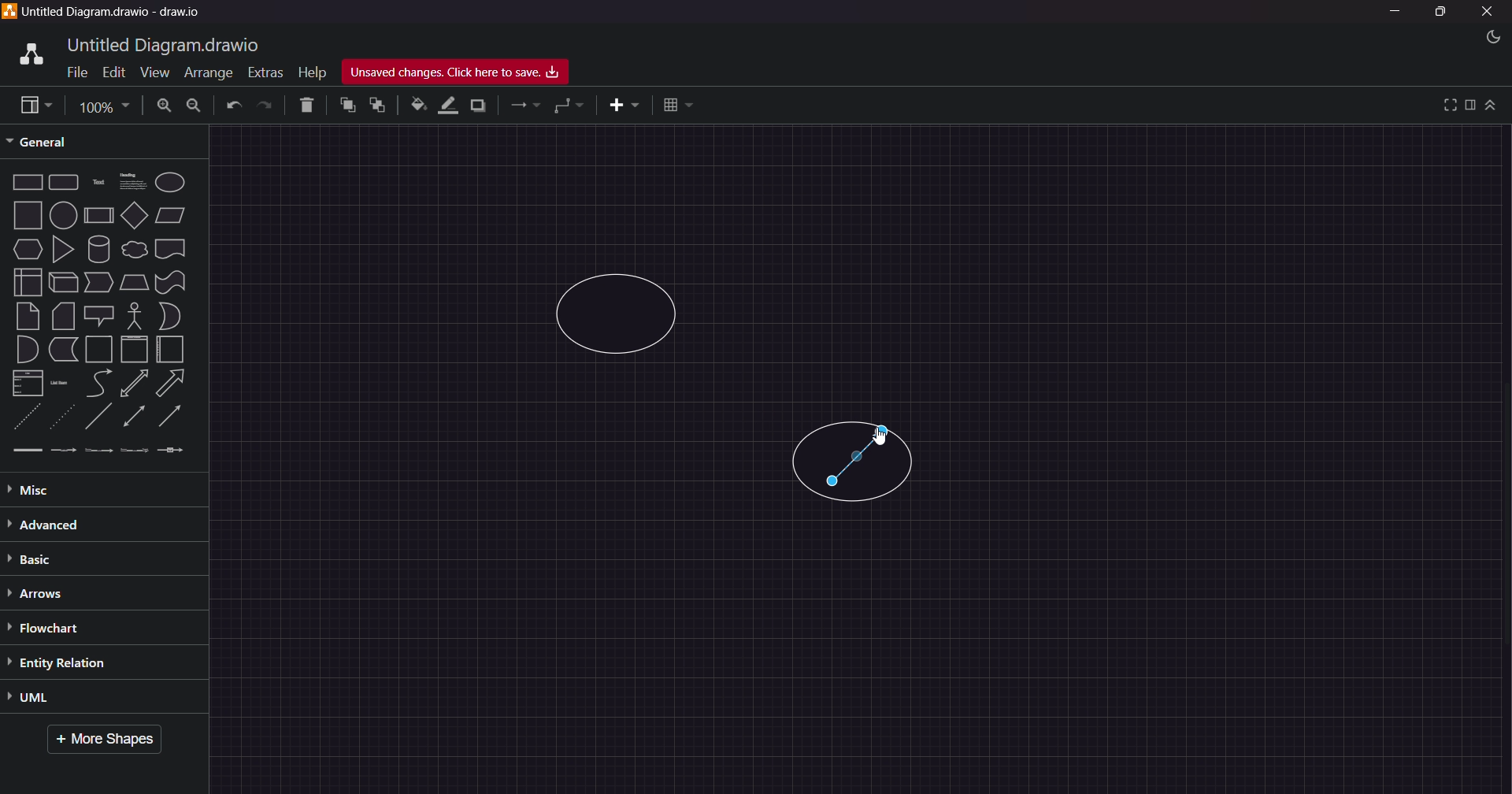 The height and width of the screenshot is (794, 1512). I want to click on table, so click(679, 104).